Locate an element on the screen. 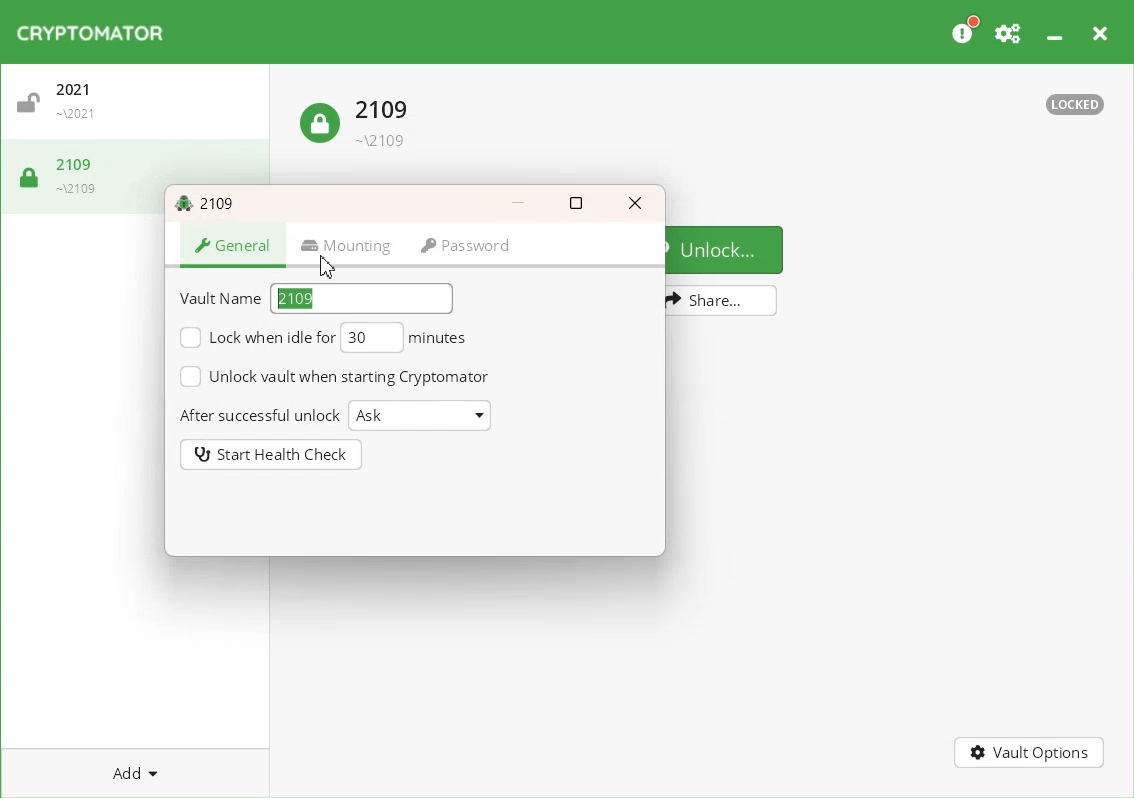  Text is located at coordinates (1075, 105).